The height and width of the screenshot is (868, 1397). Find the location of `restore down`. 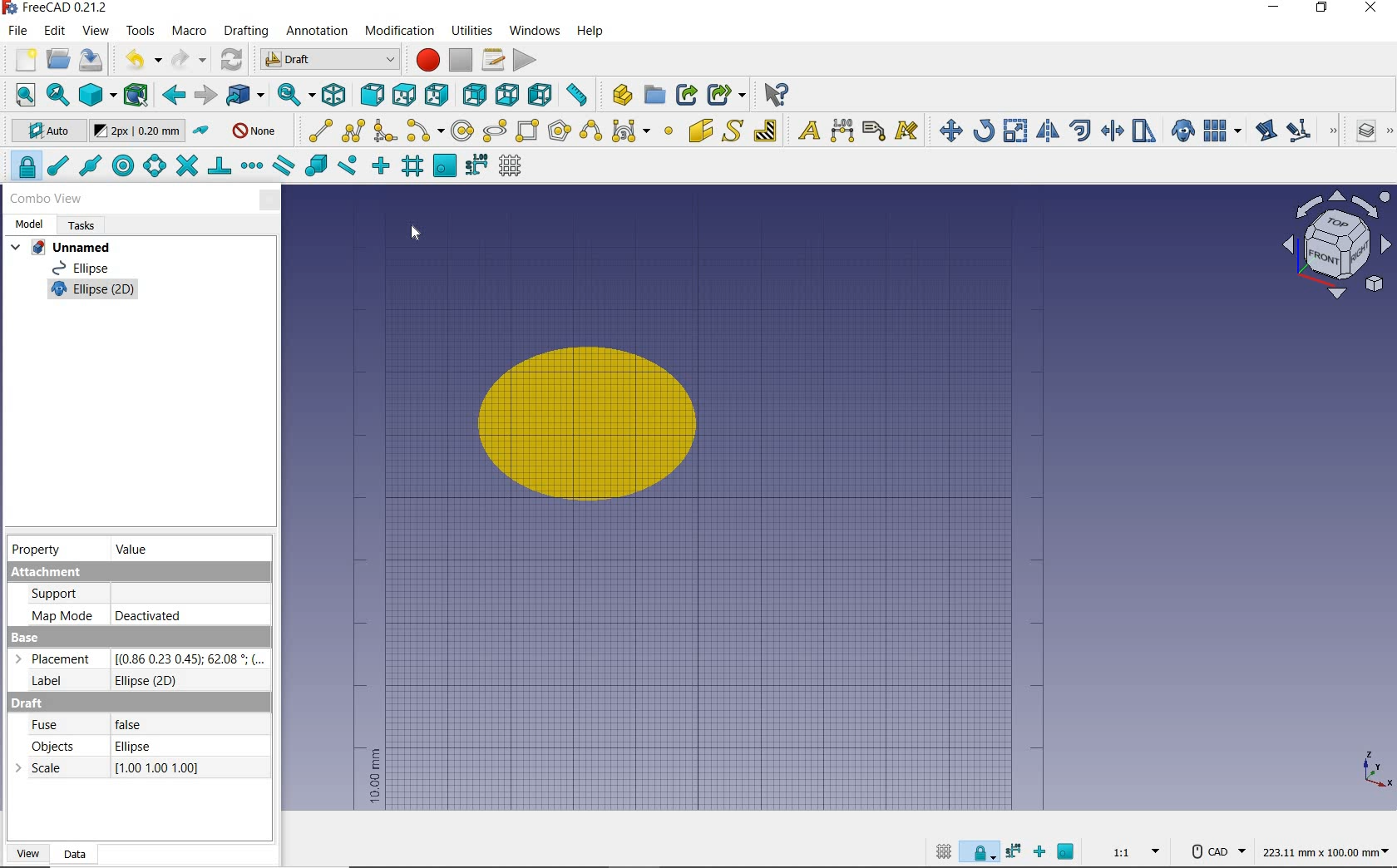

restore down is located at coordinates (1322, 8).